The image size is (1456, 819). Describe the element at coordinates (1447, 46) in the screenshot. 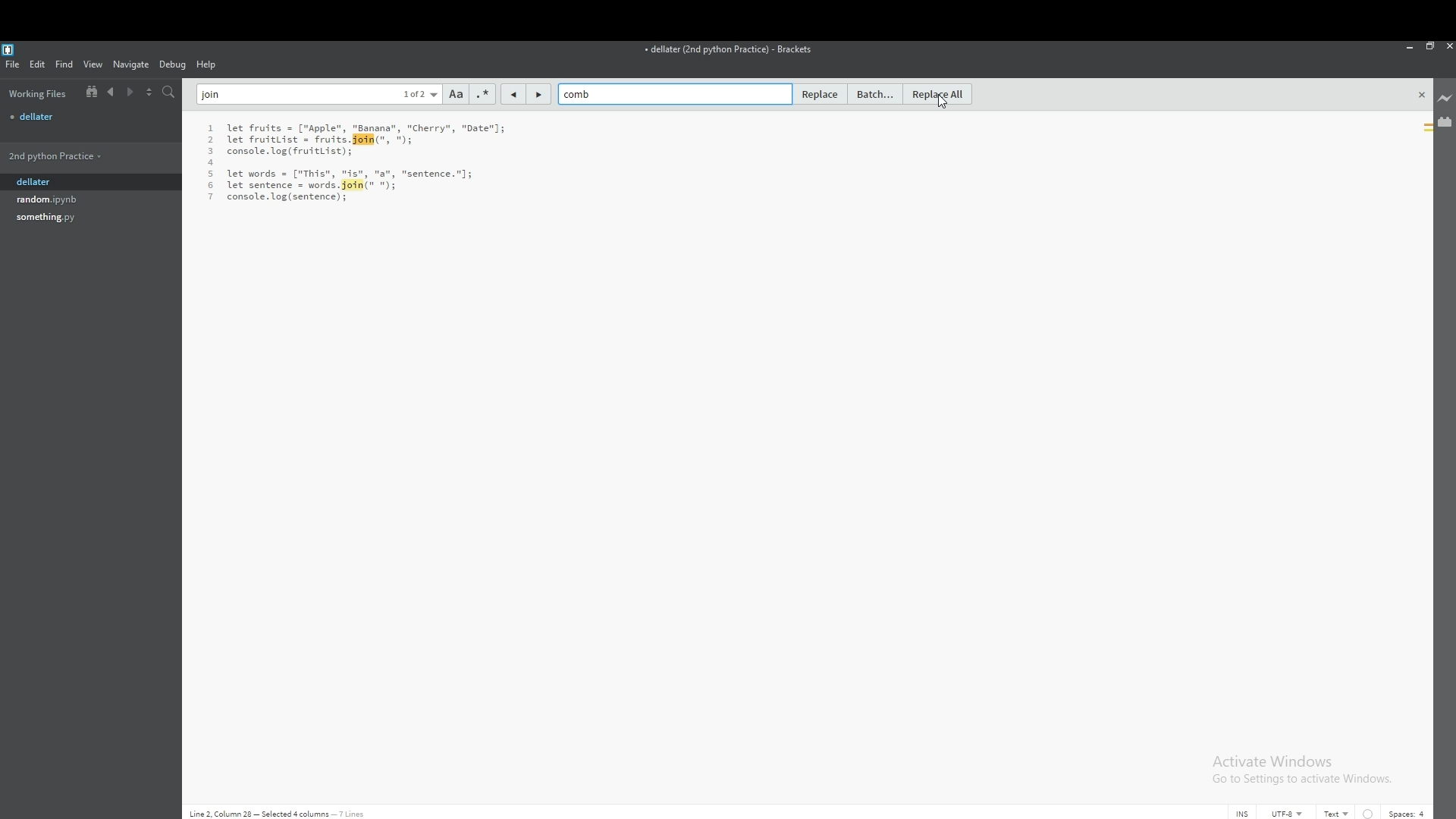

I see `close` at that location.